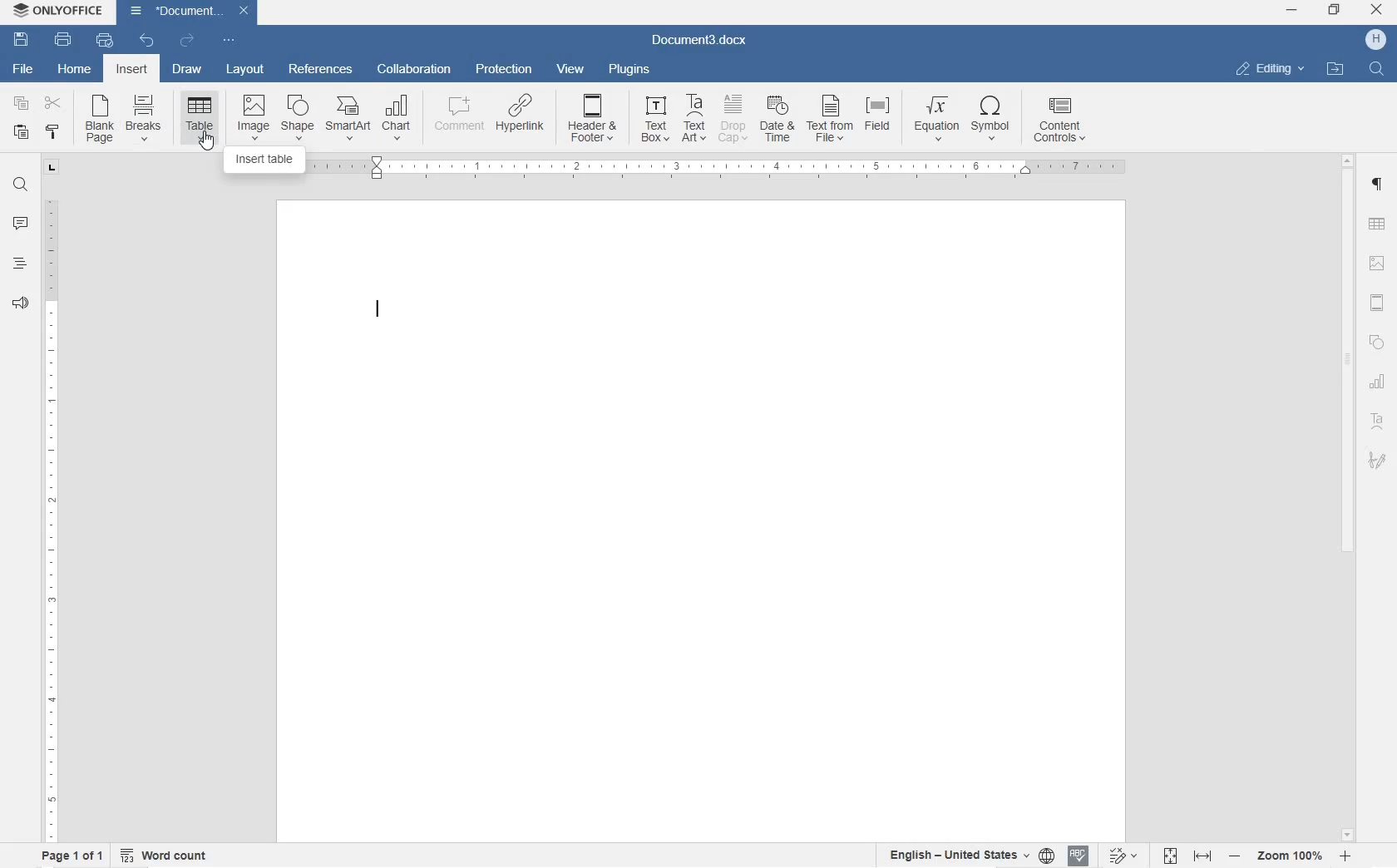  Describe the element at coordinates (25, 133) in the screenshot. I see `PASTE` at that location.